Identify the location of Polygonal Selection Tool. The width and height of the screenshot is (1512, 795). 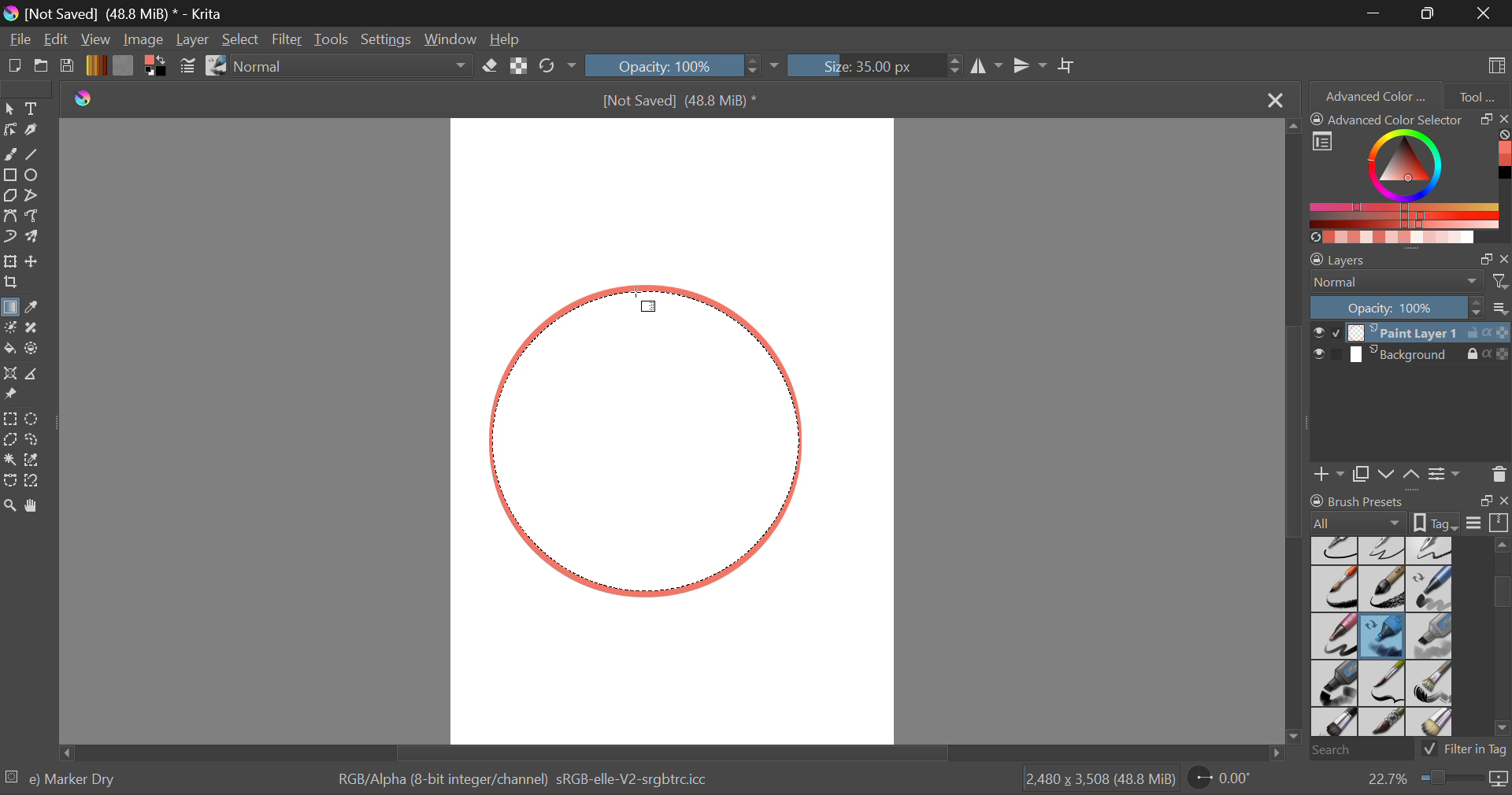
(10, 438).